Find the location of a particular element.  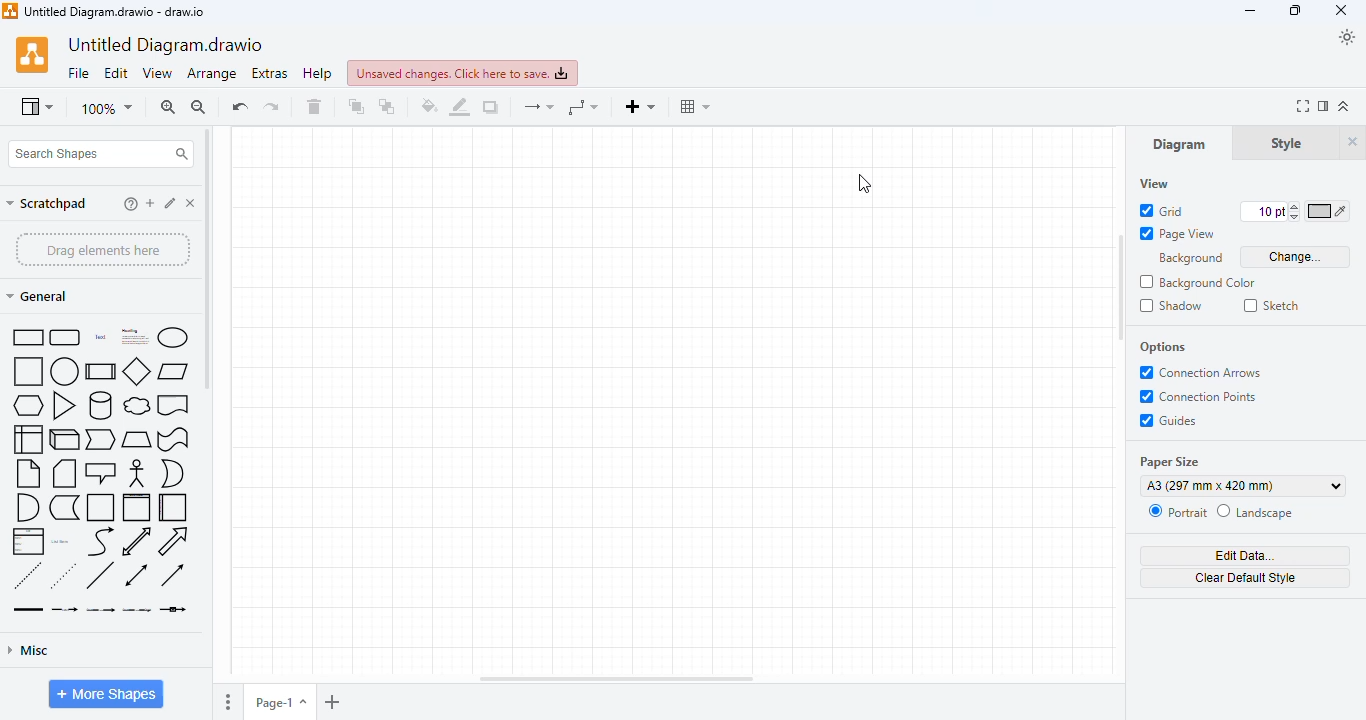

unsaved changes. click here to save is located at coordinates (463, 73).